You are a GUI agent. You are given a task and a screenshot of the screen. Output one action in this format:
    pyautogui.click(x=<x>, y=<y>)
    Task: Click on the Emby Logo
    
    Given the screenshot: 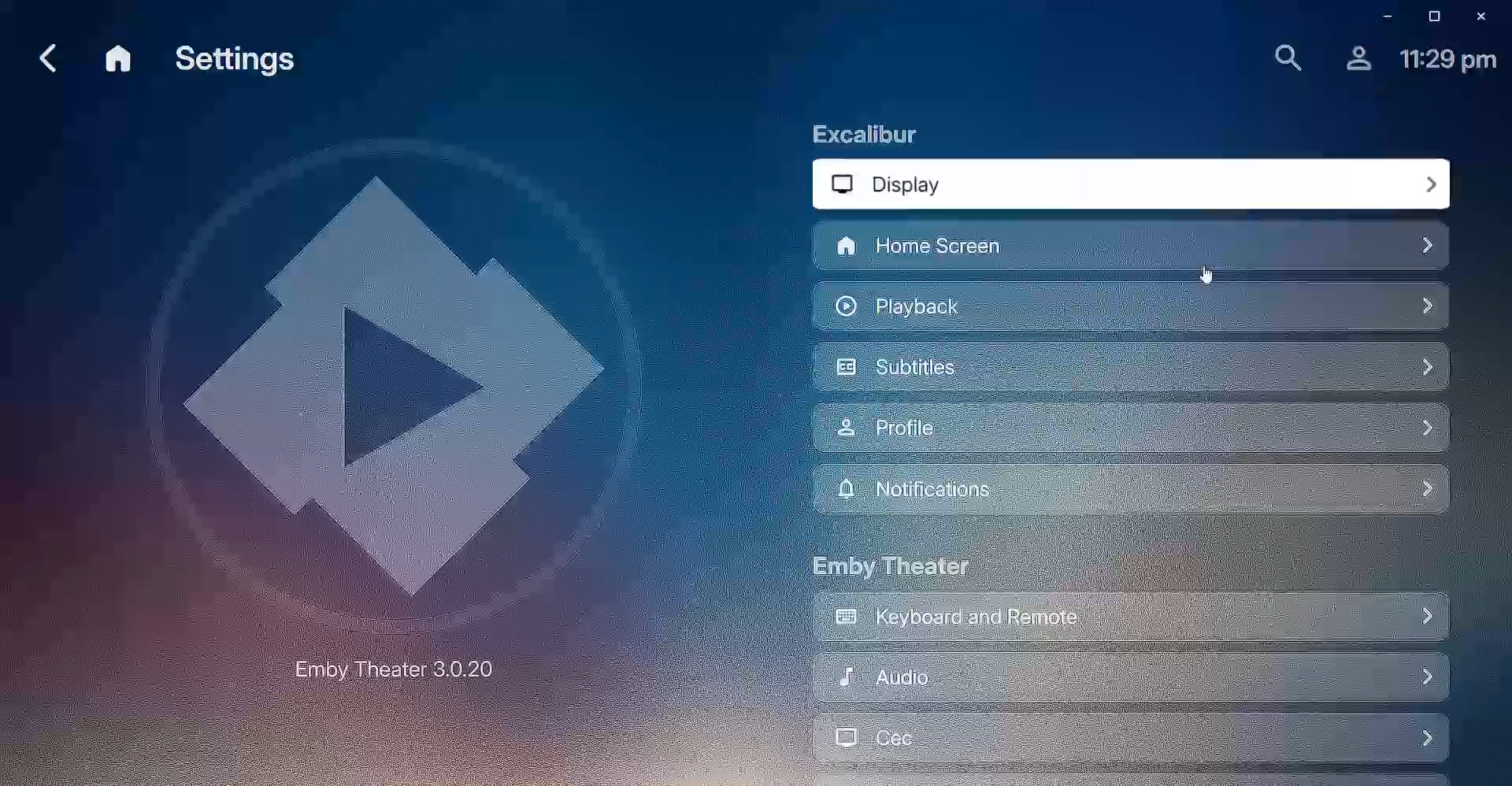 What is the action you would take?
    pyautogui.click(x=386, y=377)
    